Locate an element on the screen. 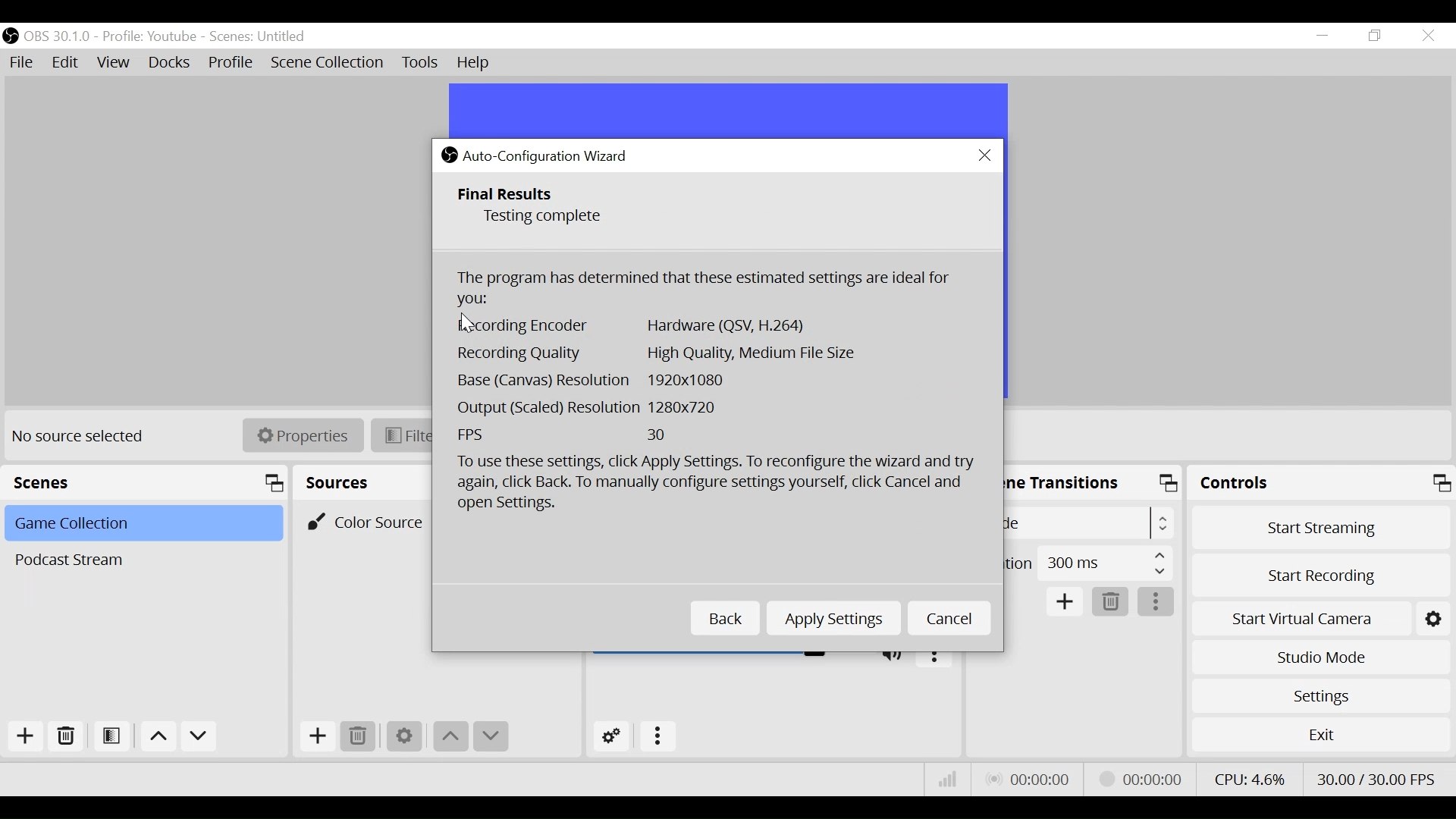  Back is located at coordinates (725, 619).